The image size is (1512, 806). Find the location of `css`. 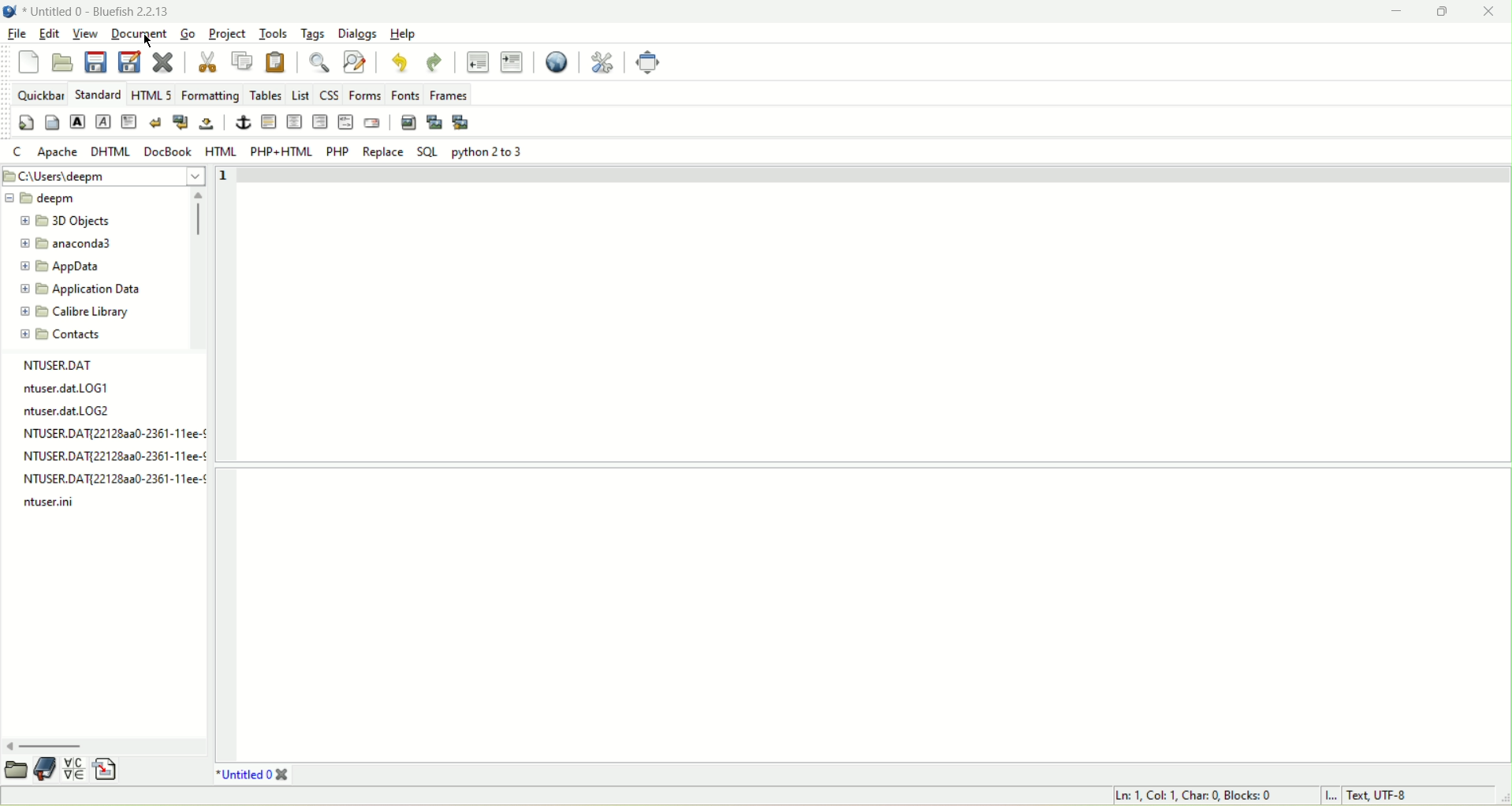

css is located at coordinates (330, 95).